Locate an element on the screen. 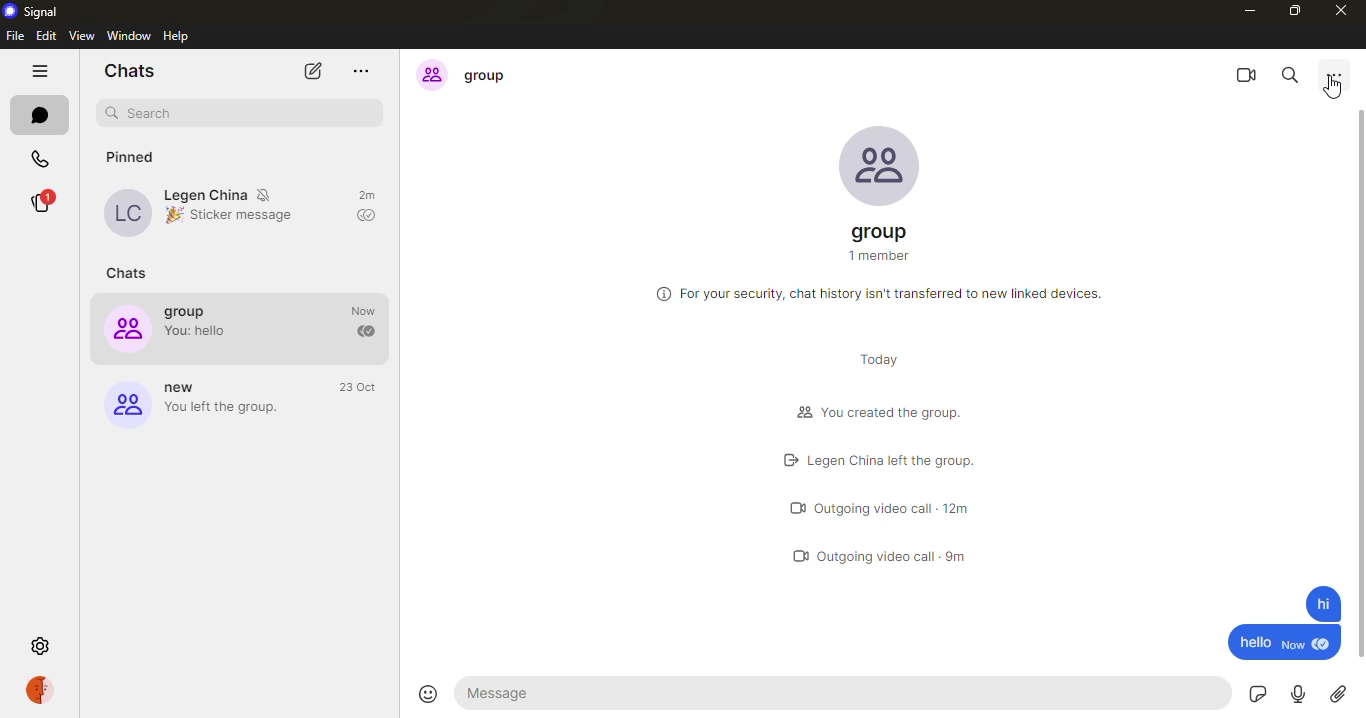  edit is located at coordinates (47, 35).